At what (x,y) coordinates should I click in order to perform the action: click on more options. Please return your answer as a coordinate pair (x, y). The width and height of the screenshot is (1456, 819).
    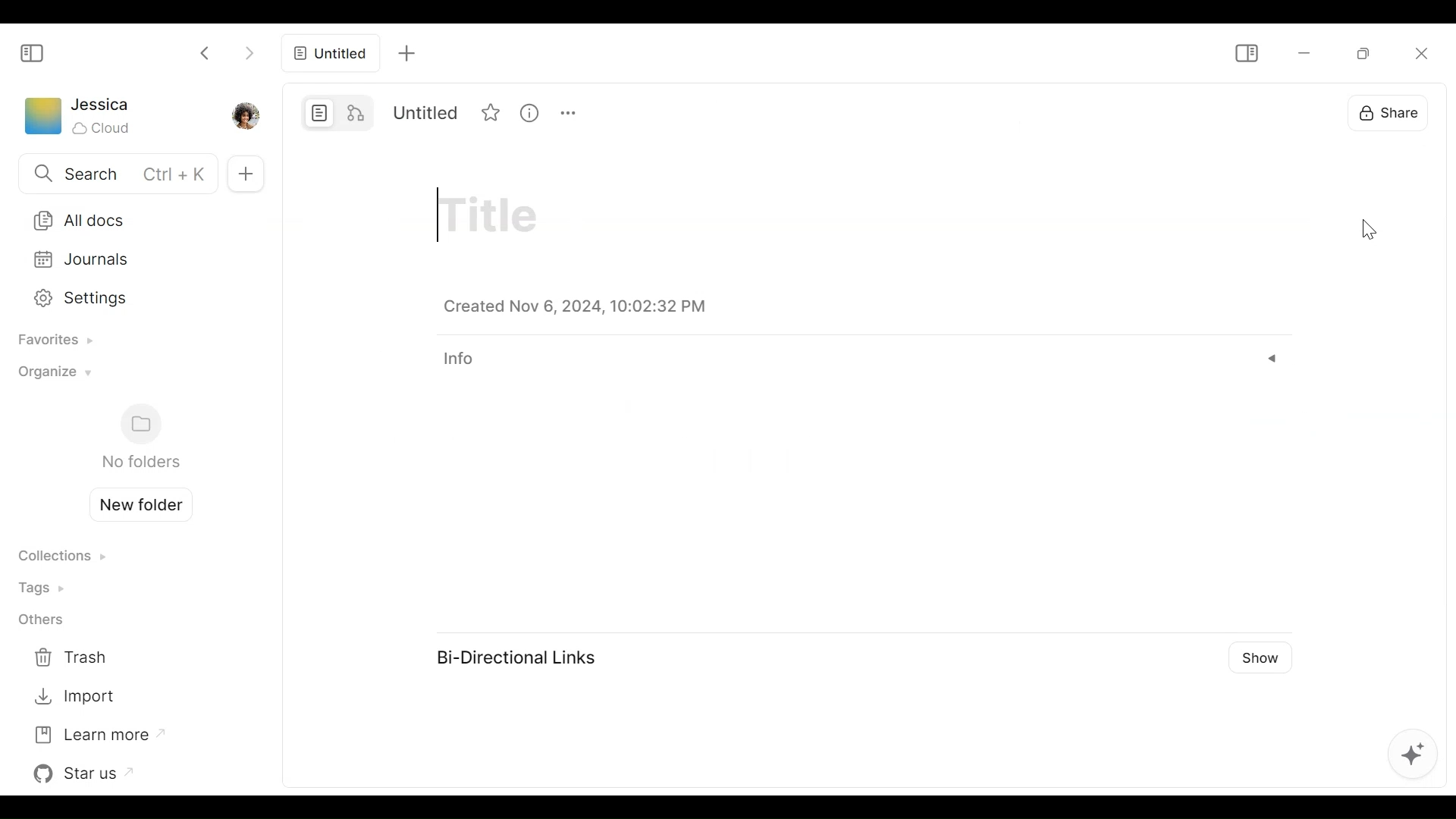
    Looking at the image, I should click on (568, 111).